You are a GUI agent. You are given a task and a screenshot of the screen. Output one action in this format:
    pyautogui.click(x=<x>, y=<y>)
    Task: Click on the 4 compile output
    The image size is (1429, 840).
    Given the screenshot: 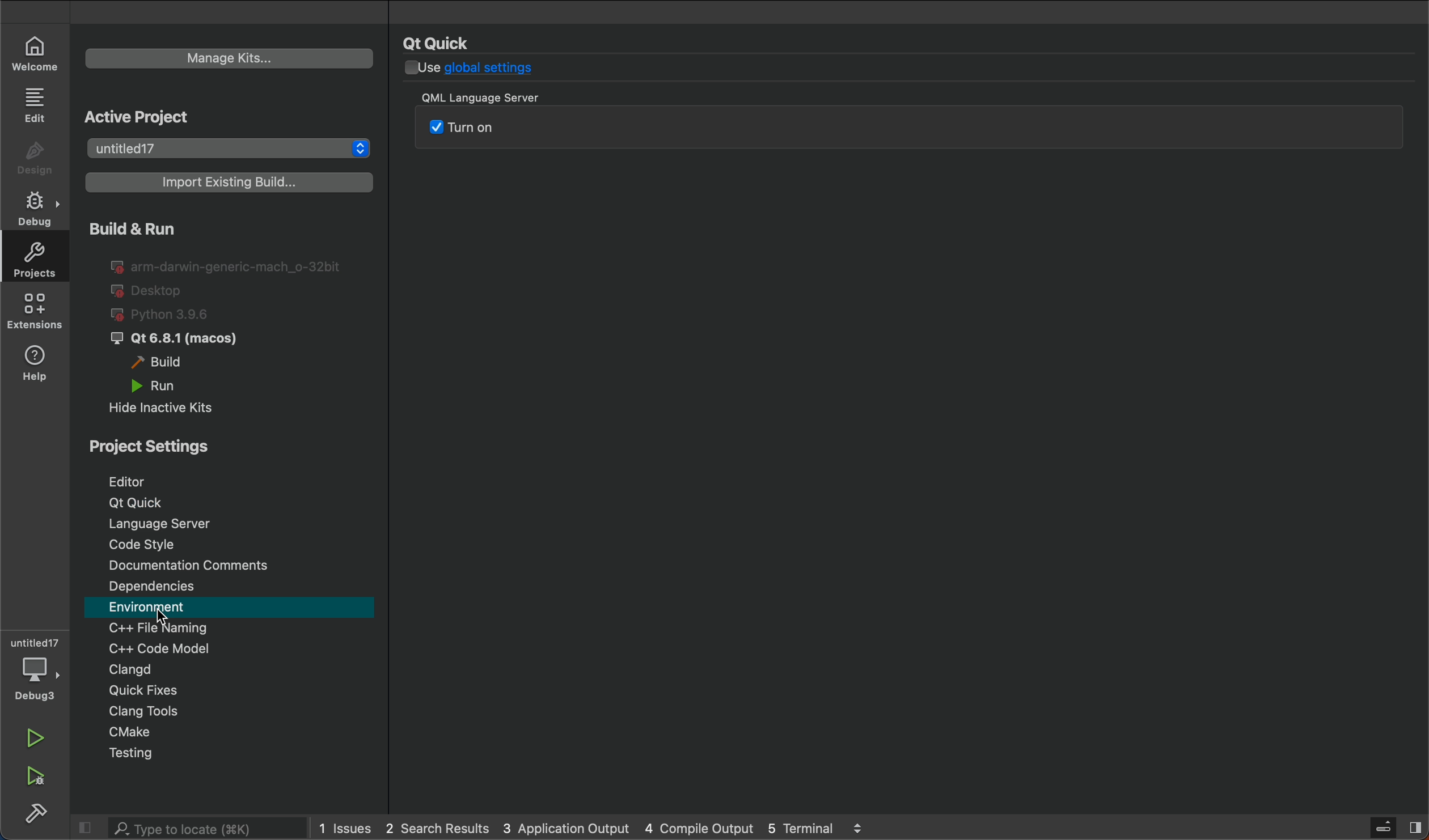 What is the action you would take?
    pyautogui.click(x=699, y=827)
    